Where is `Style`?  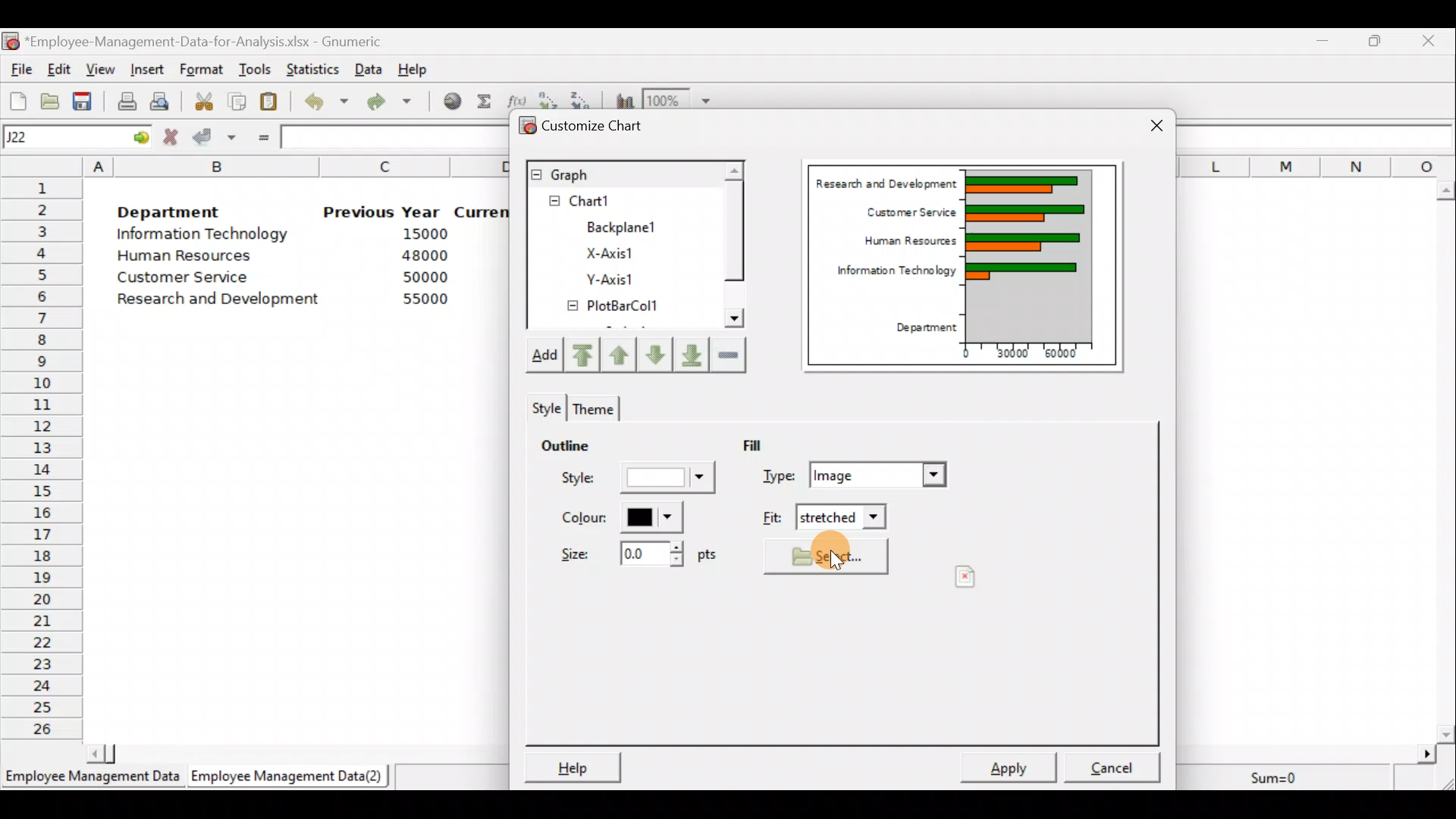
Style is located at coordinates (633, 481).